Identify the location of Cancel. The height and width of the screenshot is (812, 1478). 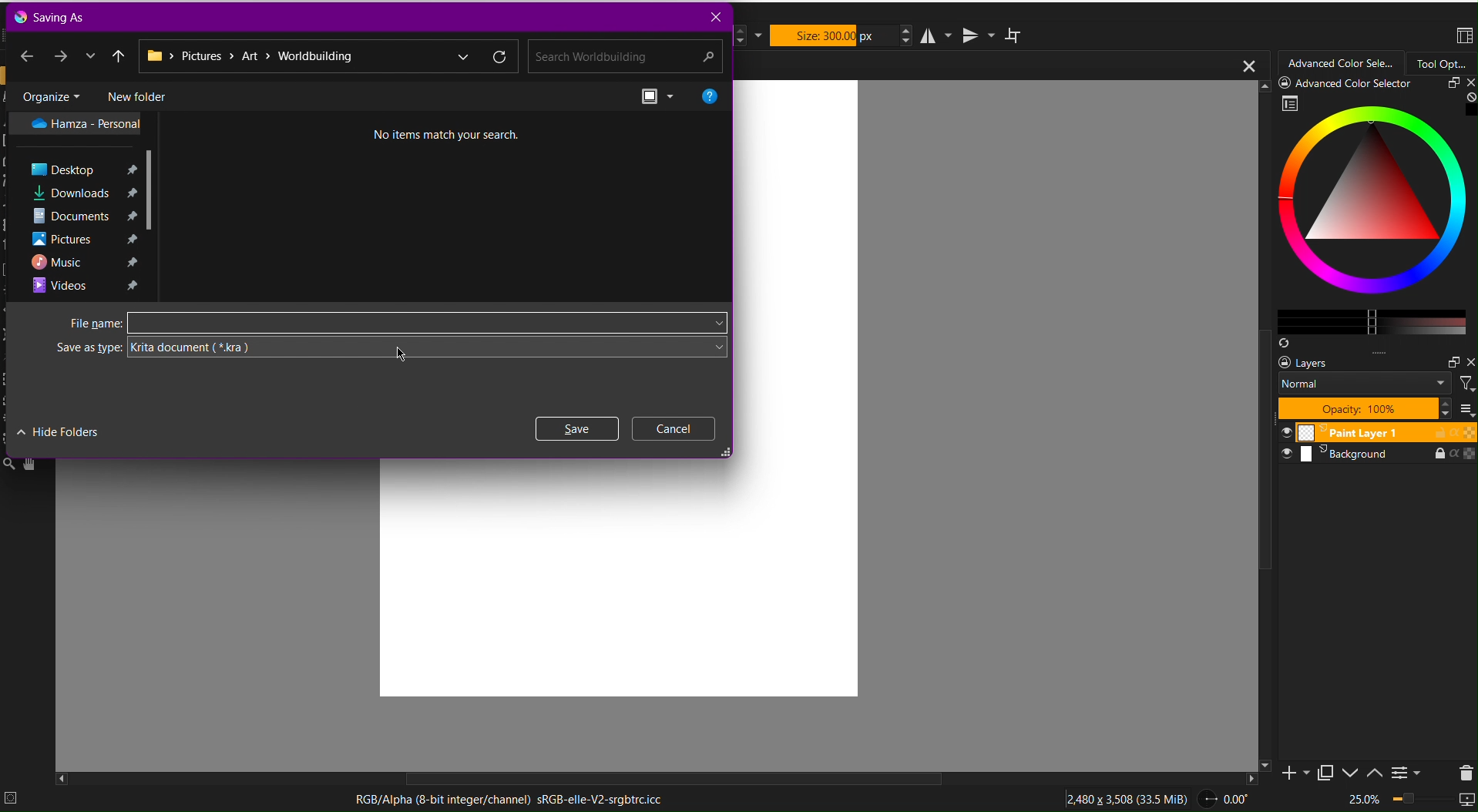
(674, 428).